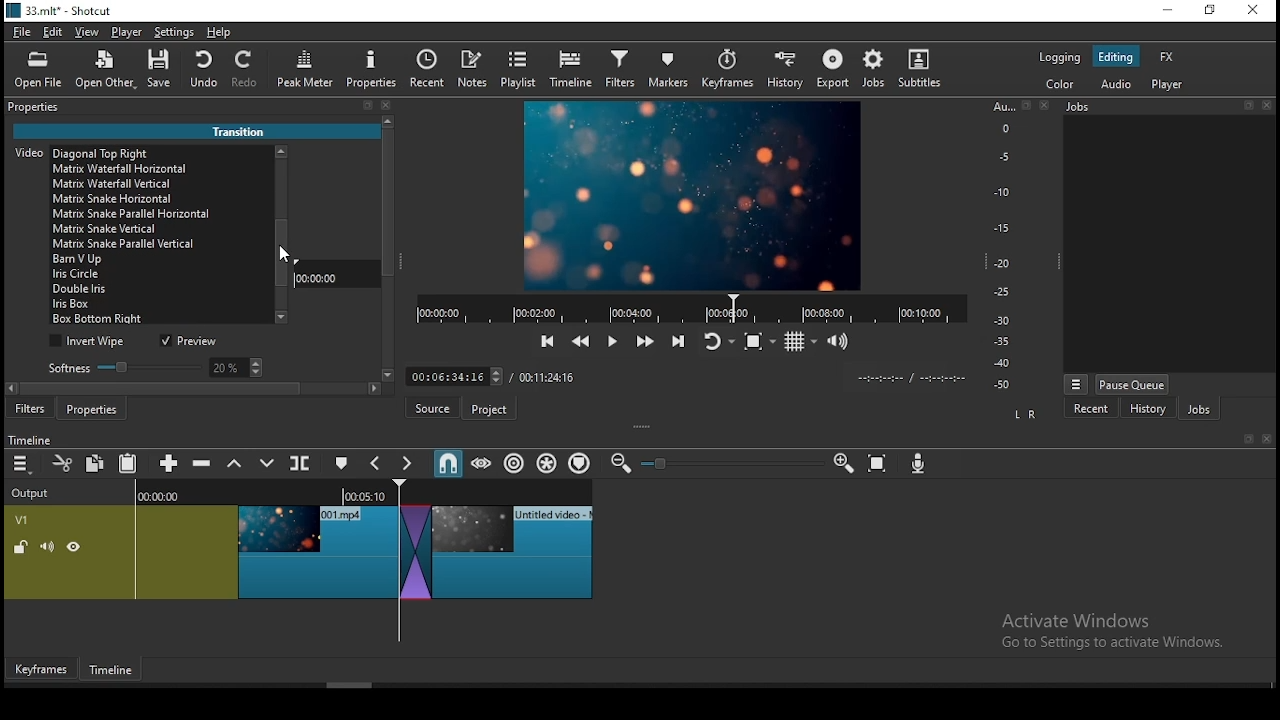 This screenshot has width=1280, height=720. What do you see at coordinates (175, 35) in the screenshot?
I see `settings` at bounding box center [175, 35].